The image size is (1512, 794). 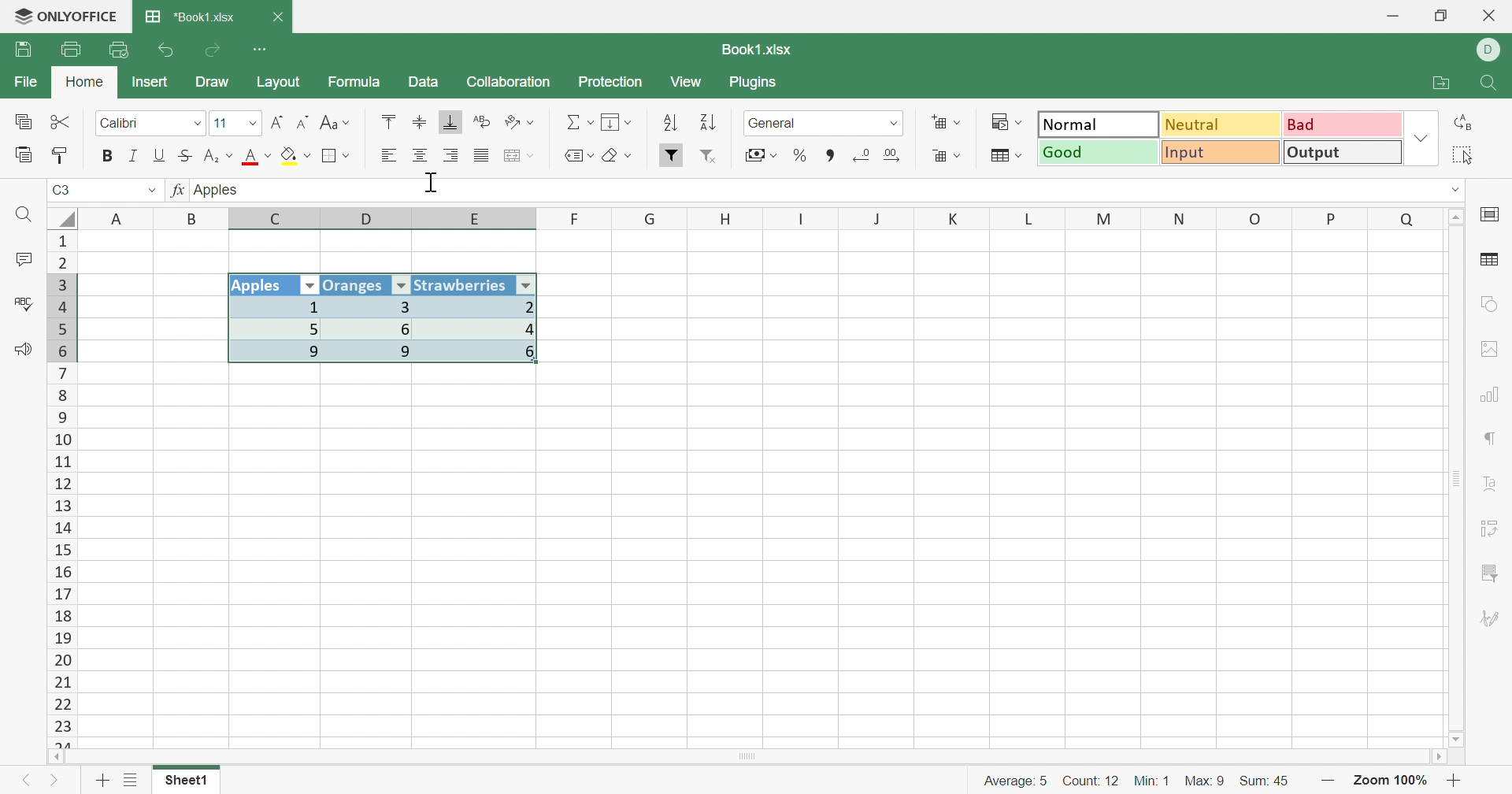 I want to click on Remove filter, so click(x=715, y=158).